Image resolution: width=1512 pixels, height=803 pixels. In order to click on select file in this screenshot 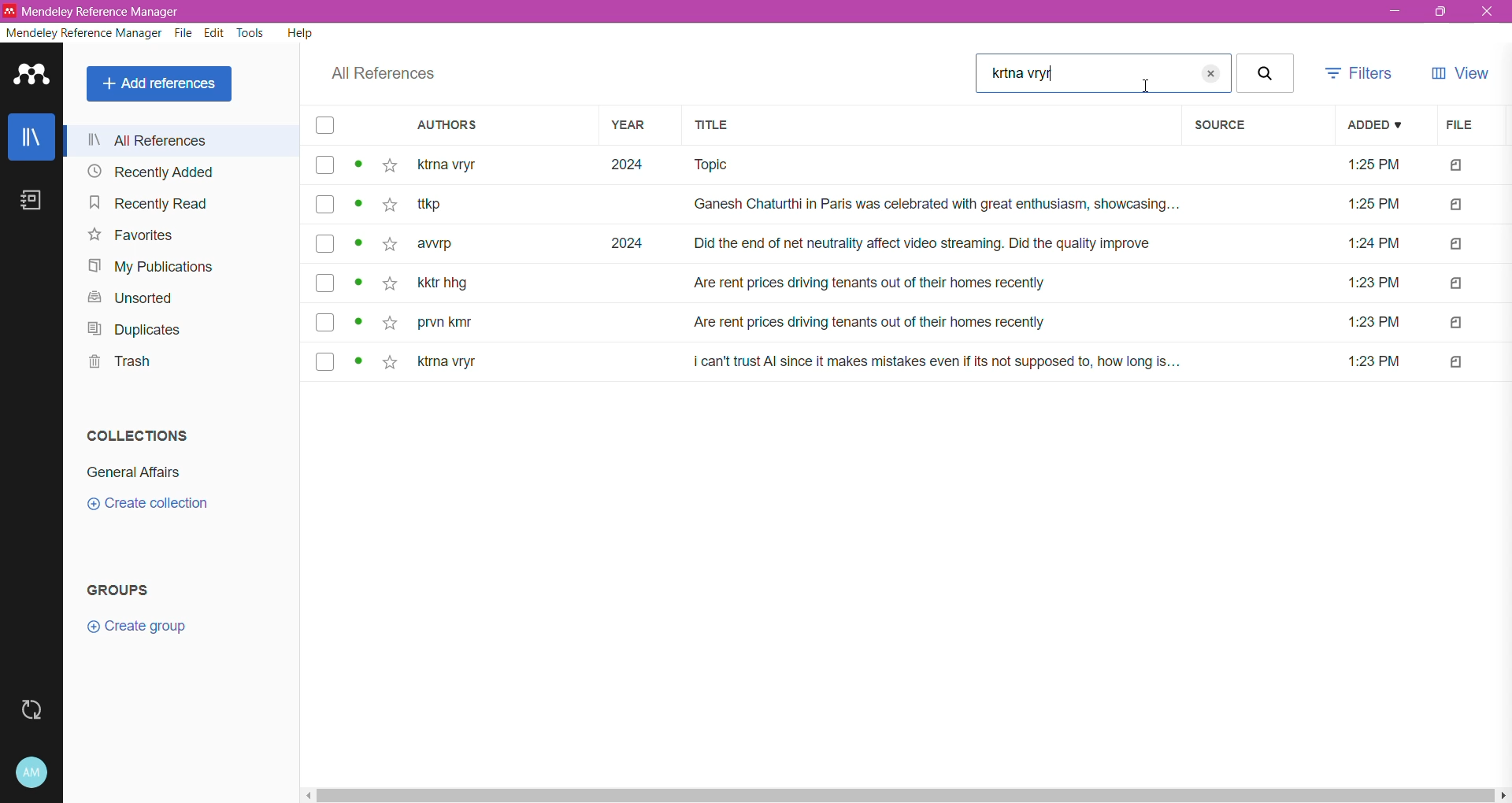, I will do `click(324, 242)`.